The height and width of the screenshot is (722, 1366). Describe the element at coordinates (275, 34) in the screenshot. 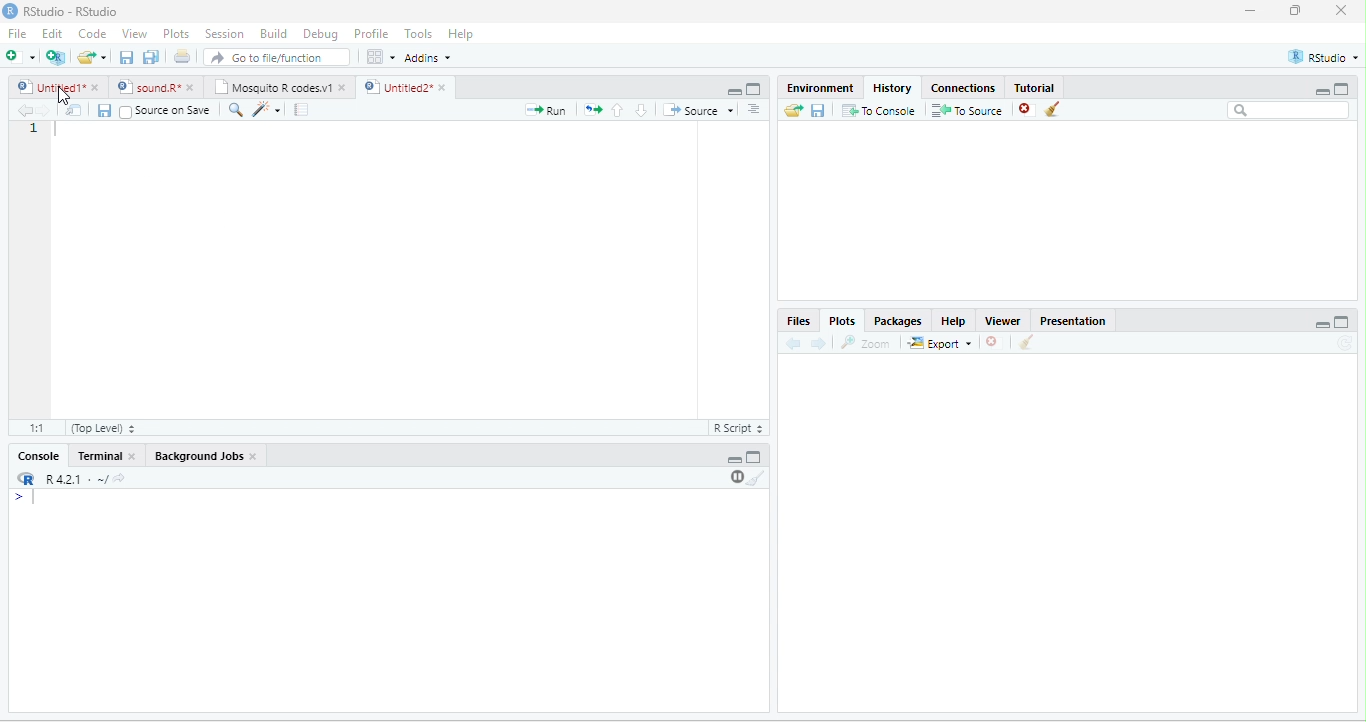

I see `Build` at that location.